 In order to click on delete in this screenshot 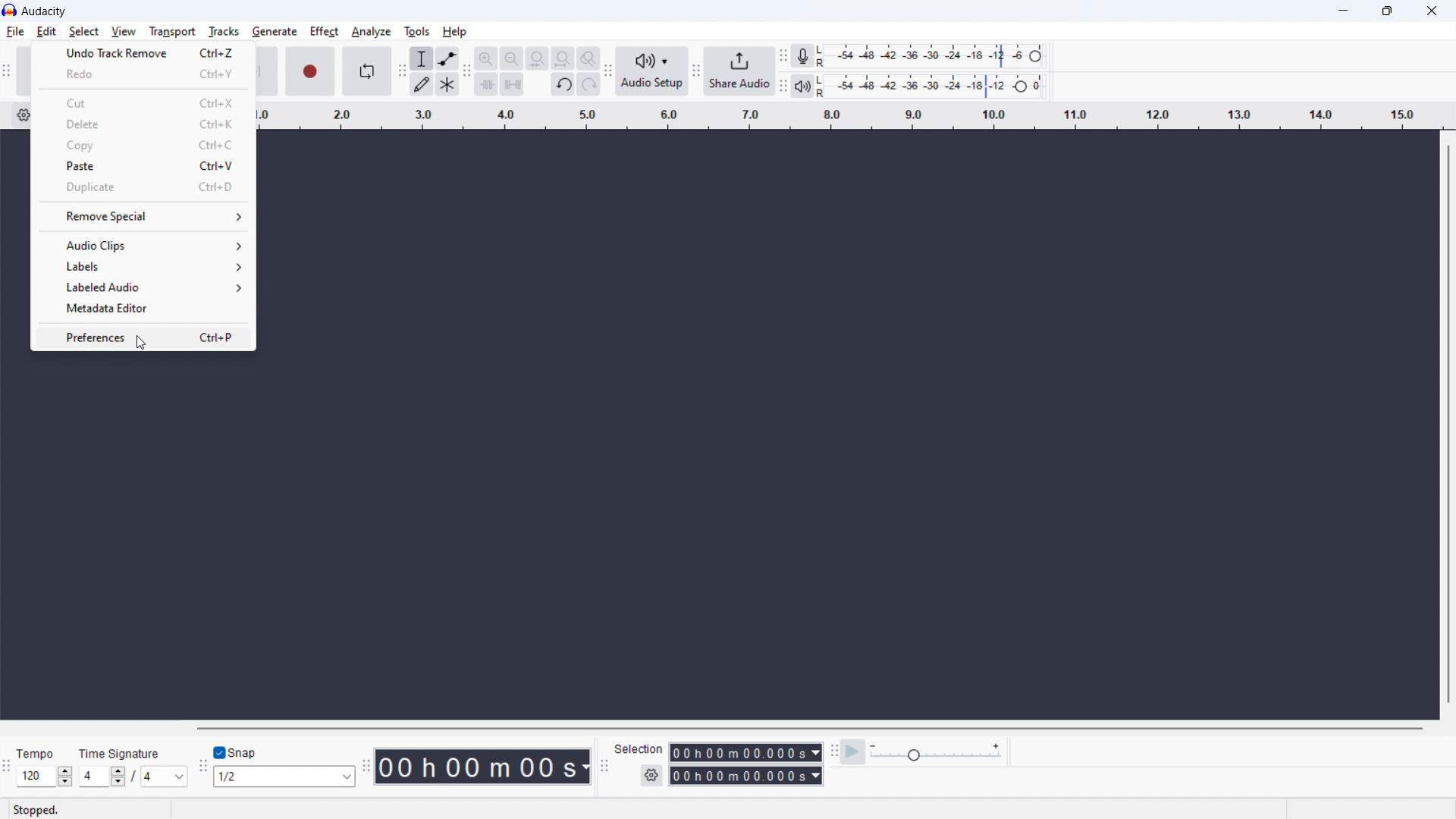, I will do `click(143, 123)`.